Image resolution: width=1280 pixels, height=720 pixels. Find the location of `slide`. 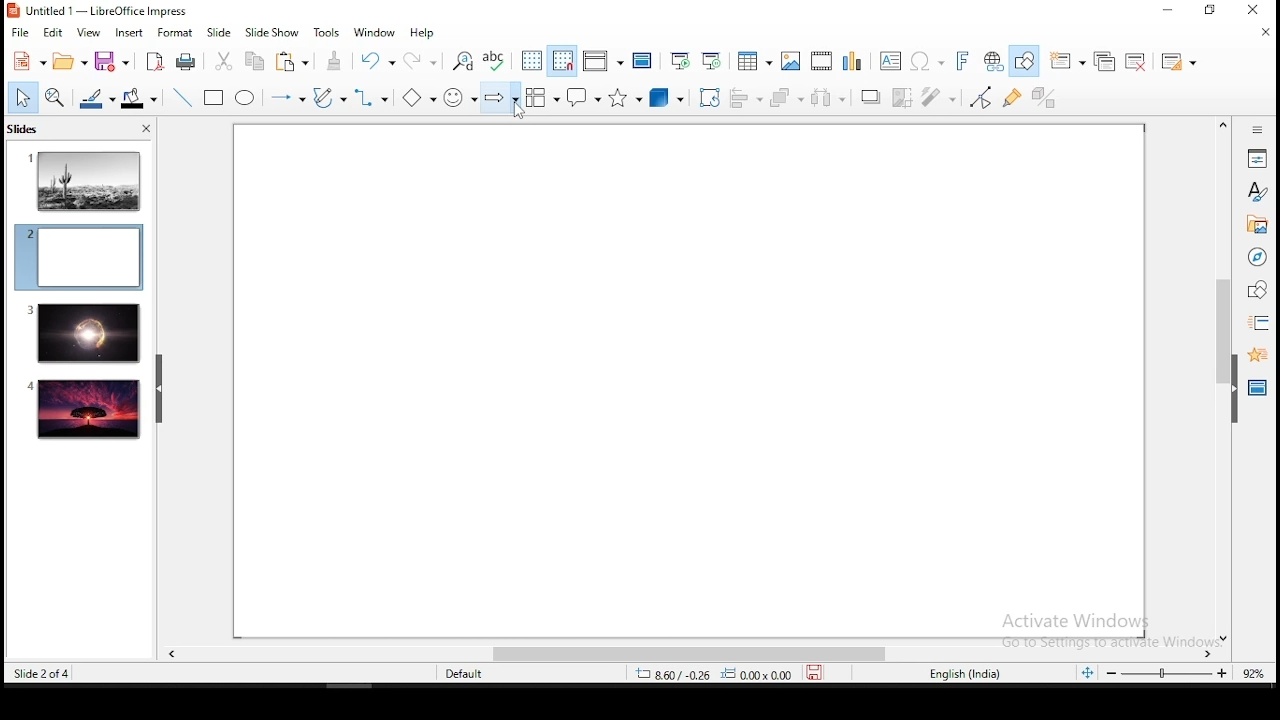

slide is located at coordinates (216, 33).